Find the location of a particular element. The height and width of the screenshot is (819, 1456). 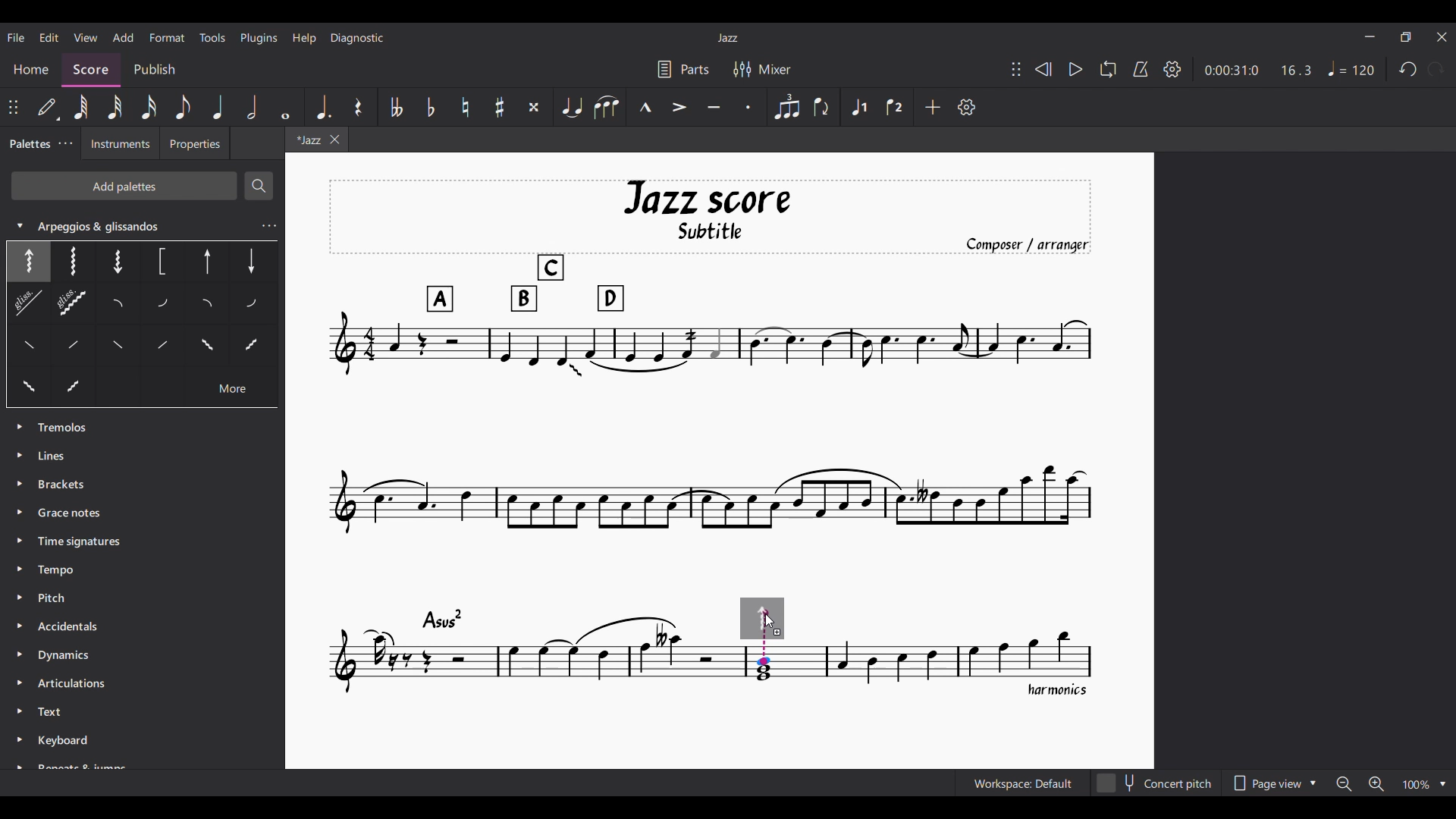

Publish is located at coordinates (153, 68).